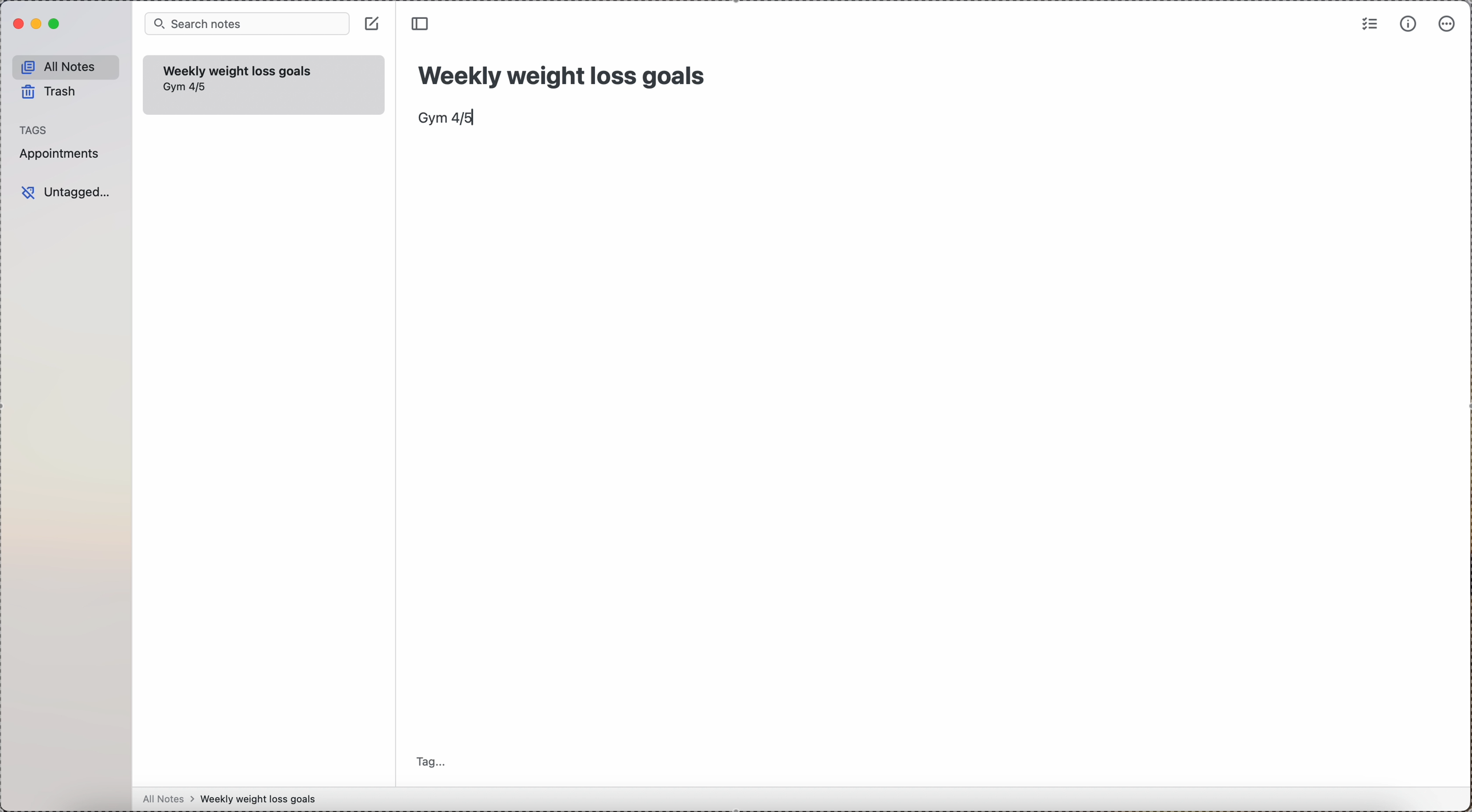 Image resolution: width=1472 pixels, height=812 pixels. I want to click on title: Weekly weight loss goals, so click(565, 73).